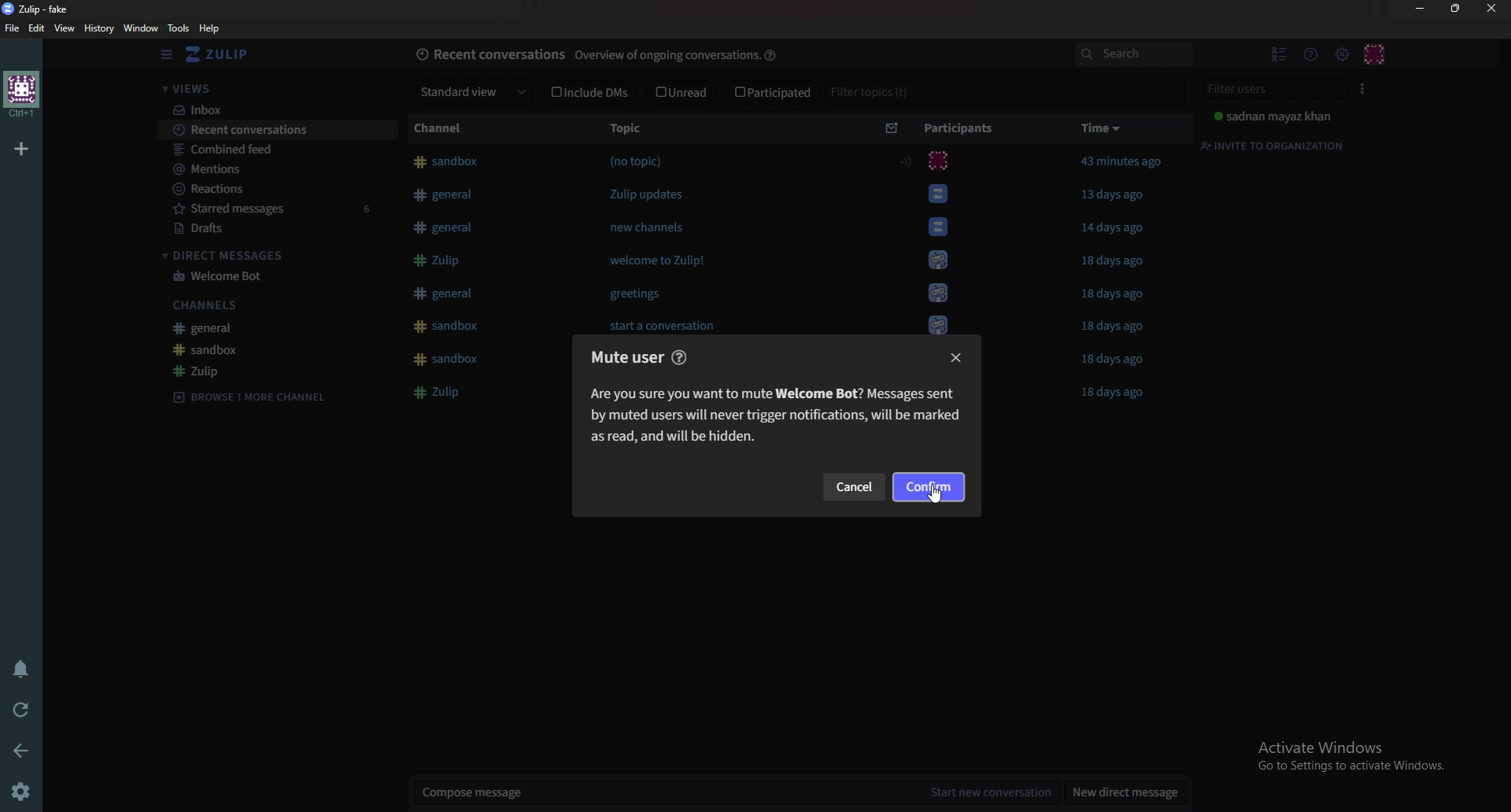  What do you see at coordinates (955, 356) in the screenshot?
I see `Close` at bounding box center [955, 356].